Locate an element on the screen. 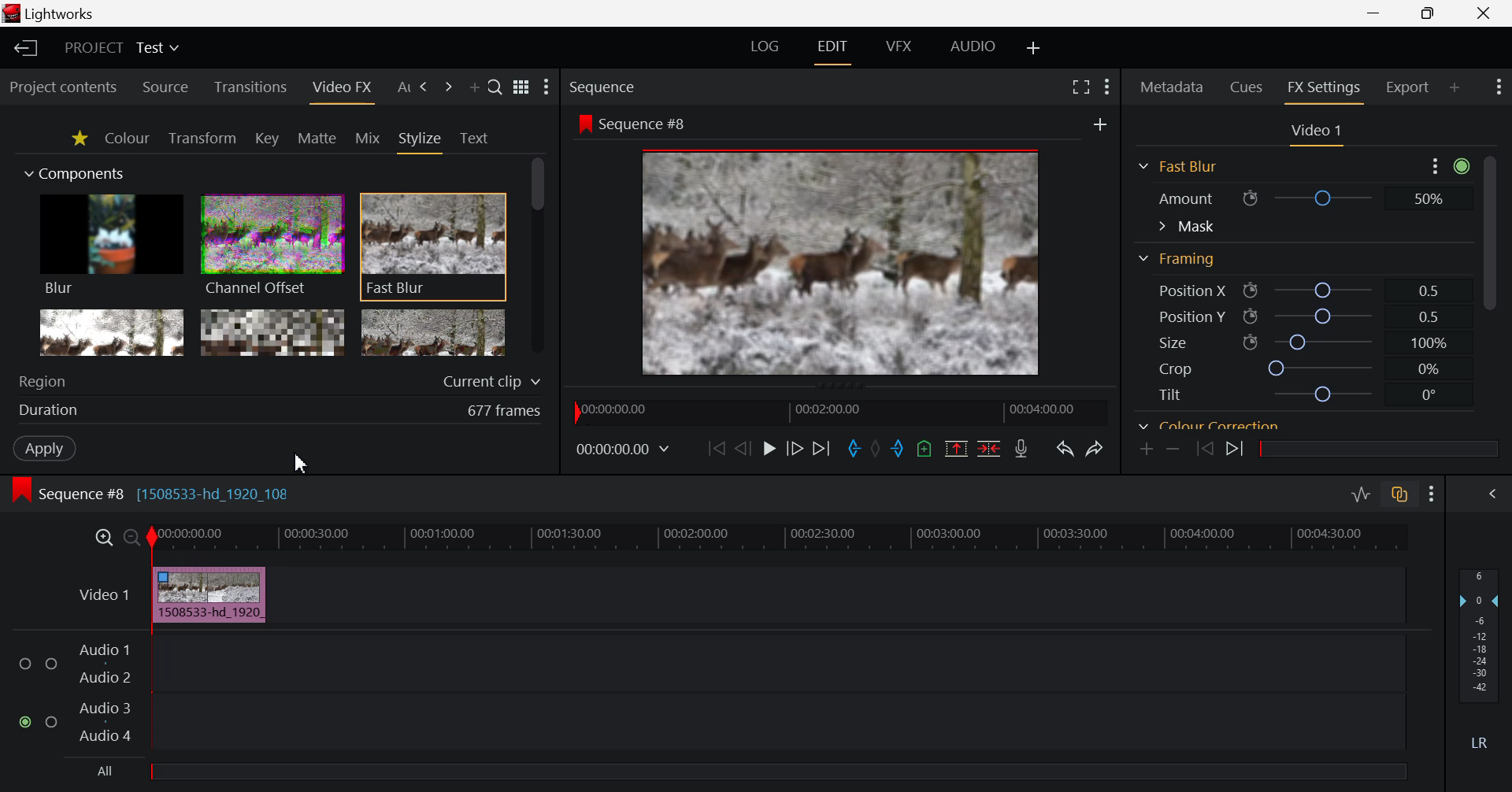 Image resolution: width=1512 pixels, height=792 pixels. Duration is located at coordinates (283, 409).